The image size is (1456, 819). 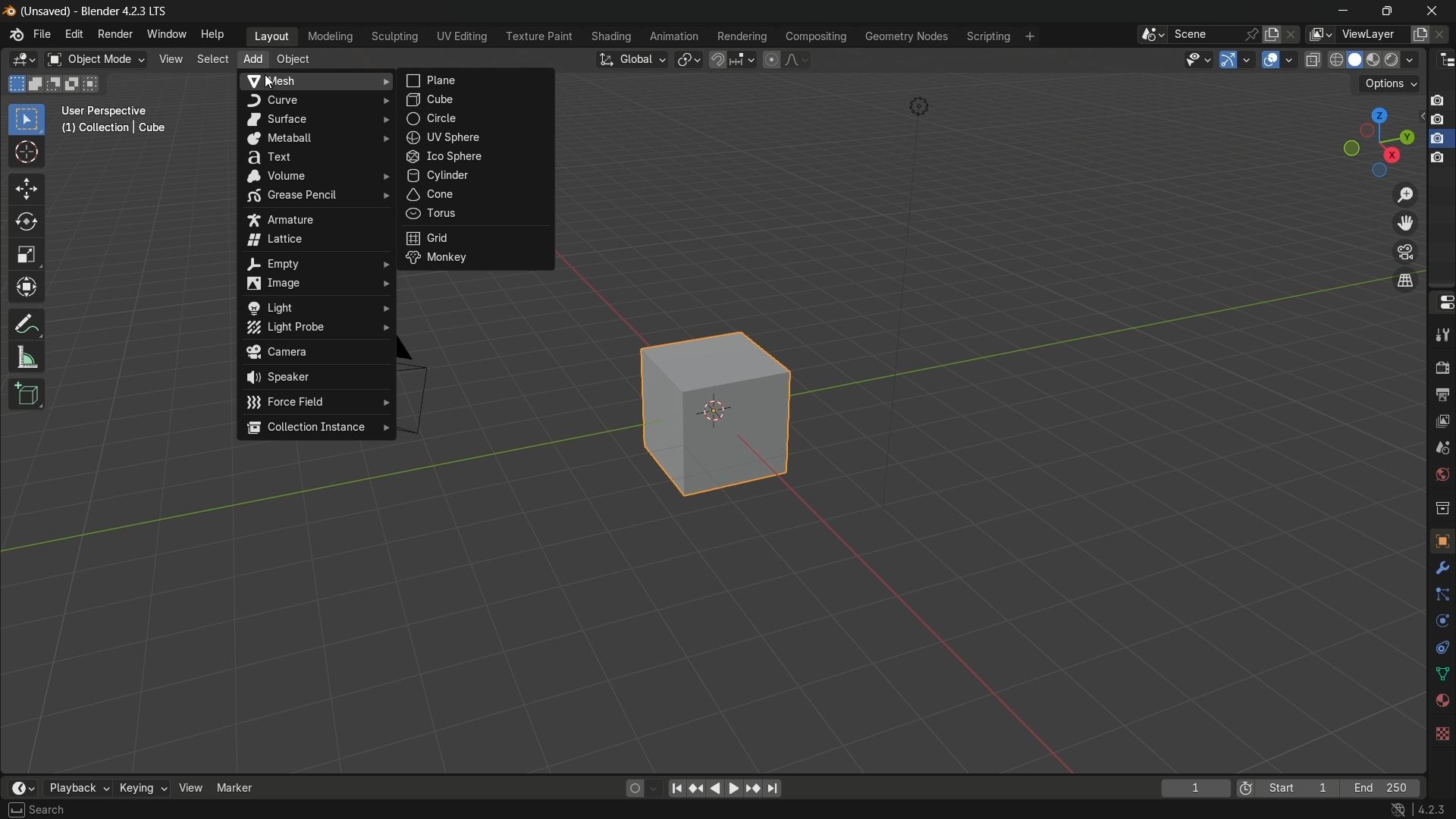 What do you see at coordinates (1436, 119) in the screenshot?
I see `layer 2` at bounding box center [1436, 119].